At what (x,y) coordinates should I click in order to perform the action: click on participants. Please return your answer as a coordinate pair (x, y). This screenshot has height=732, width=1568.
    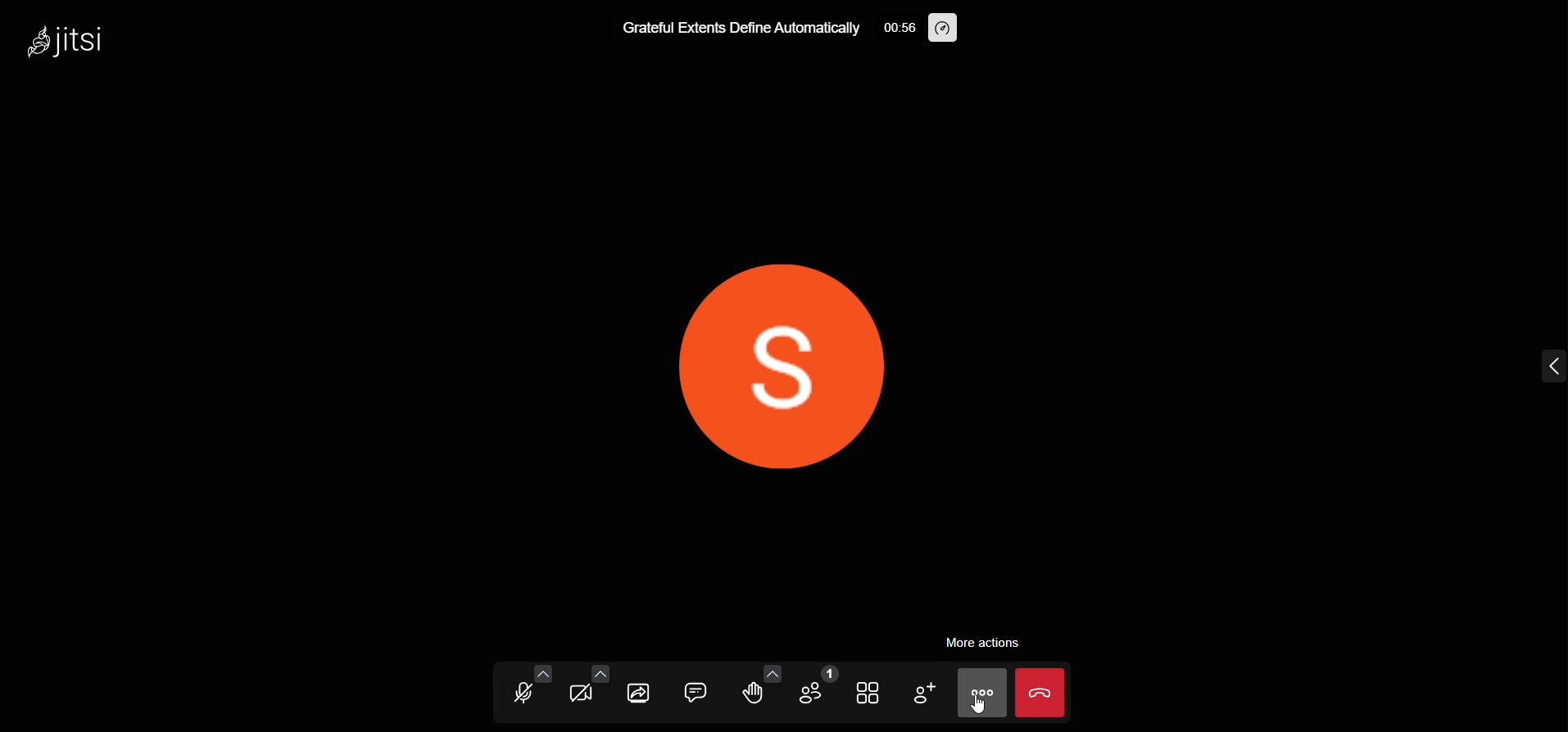
    Looking at the image, I should click on (815, 687).